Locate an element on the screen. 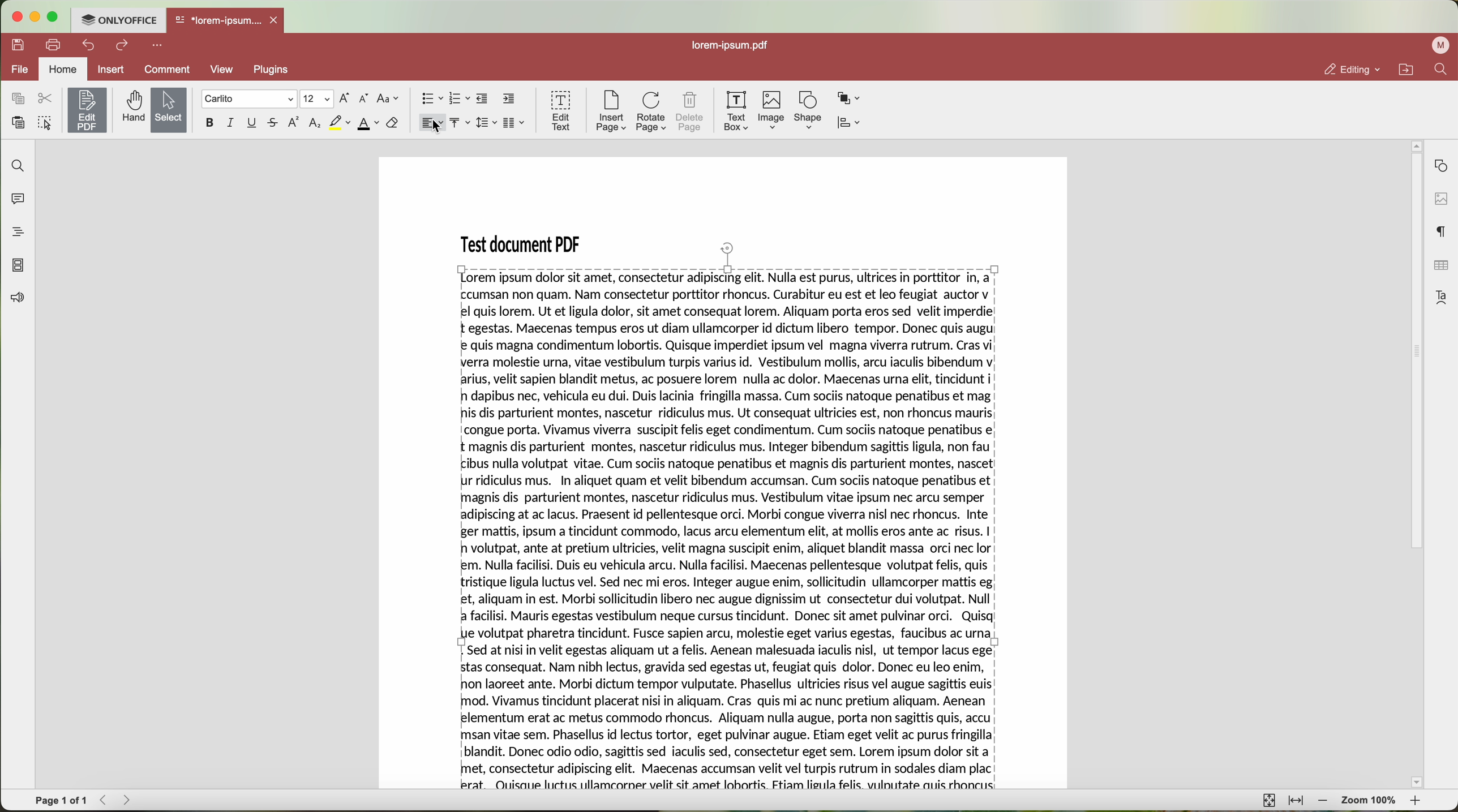 The height and width of the screenshot is (812, 1458). horizontal align is located at coordinates (431, 122).